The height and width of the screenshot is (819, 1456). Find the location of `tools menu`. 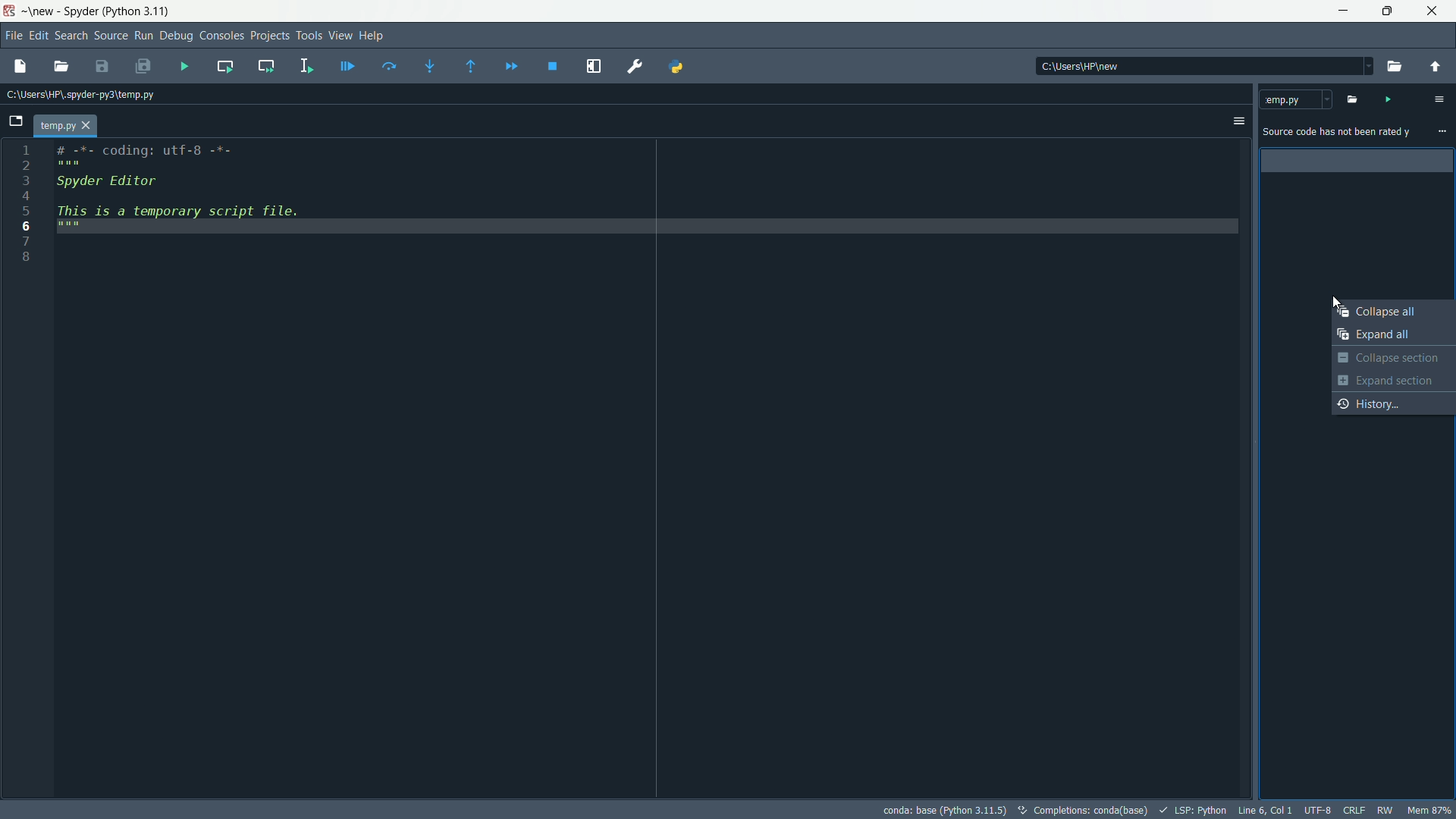

tools menu is located at coordinates (310, 36).